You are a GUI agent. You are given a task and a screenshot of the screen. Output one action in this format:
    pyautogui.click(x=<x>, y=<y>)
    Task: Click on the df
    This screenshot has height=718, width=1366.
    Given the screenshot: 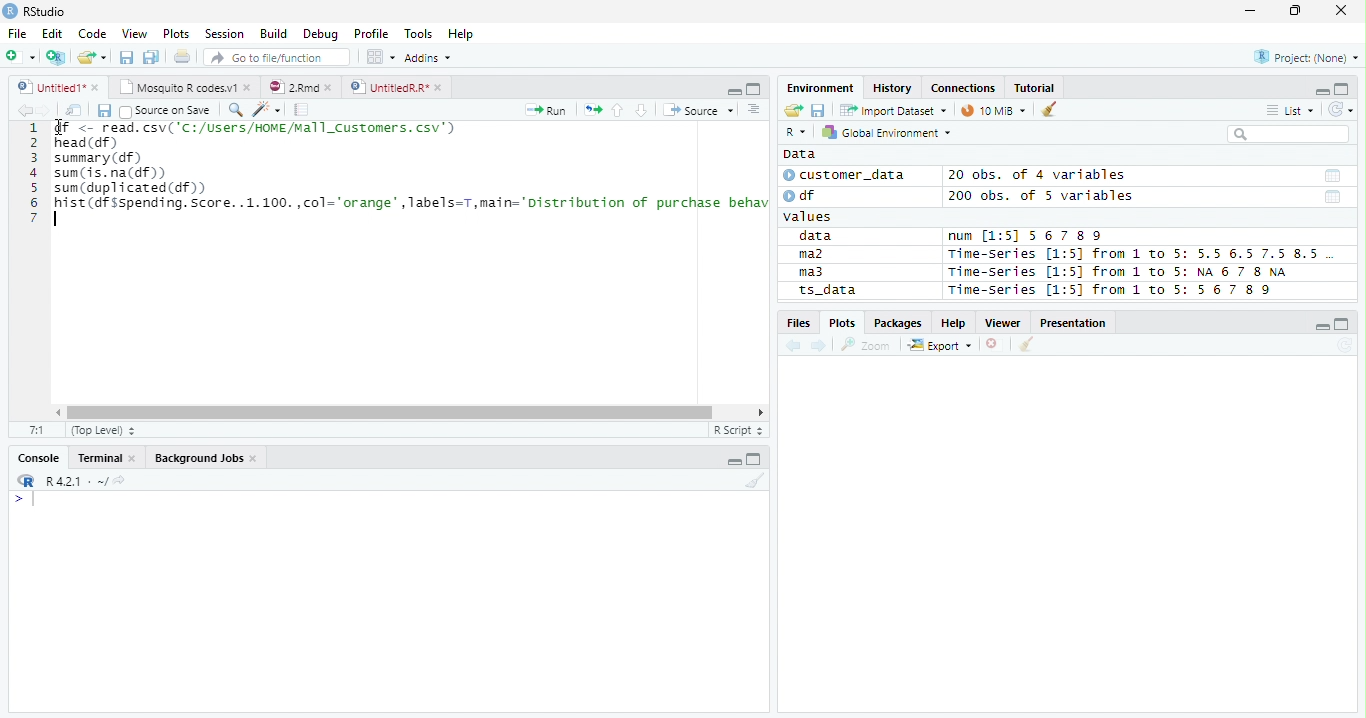 What is the action you would take?
    pyautogui.click(x=806, y=195)
    